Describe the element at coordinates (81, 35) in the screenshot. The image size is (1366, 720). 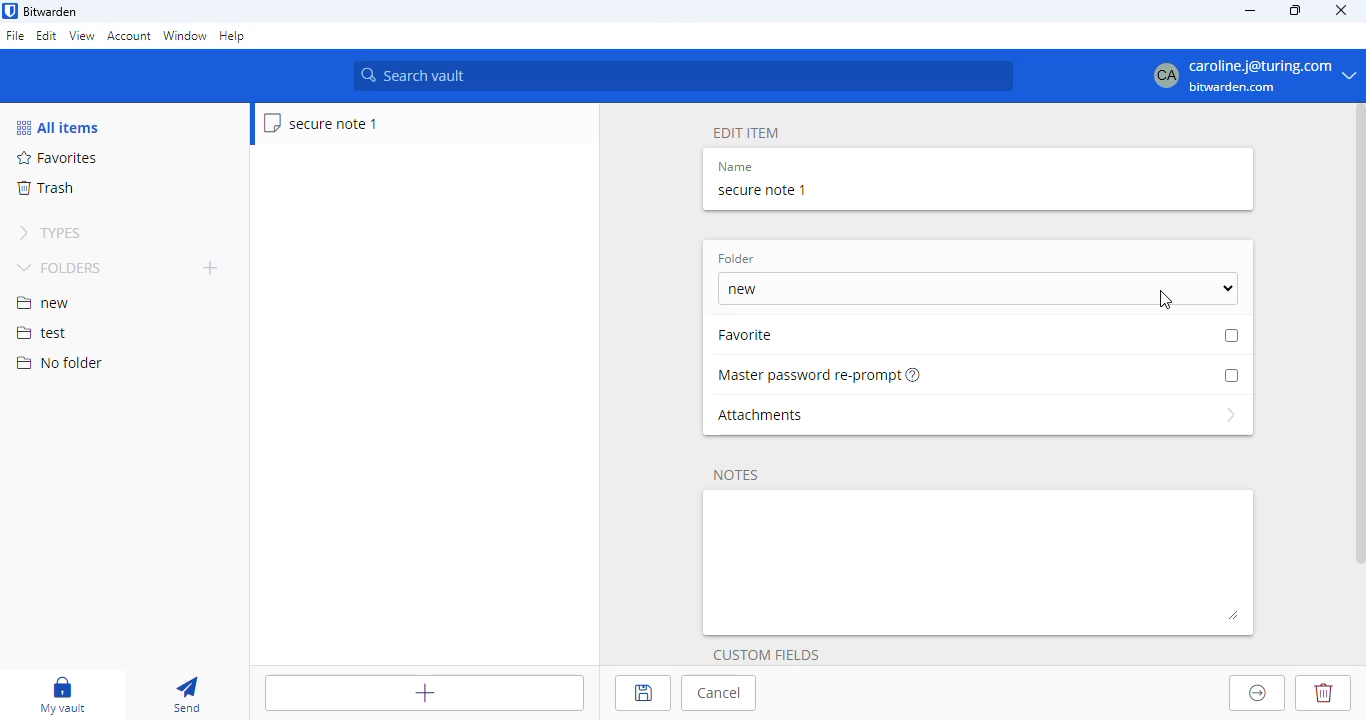
I see `view` at that location.